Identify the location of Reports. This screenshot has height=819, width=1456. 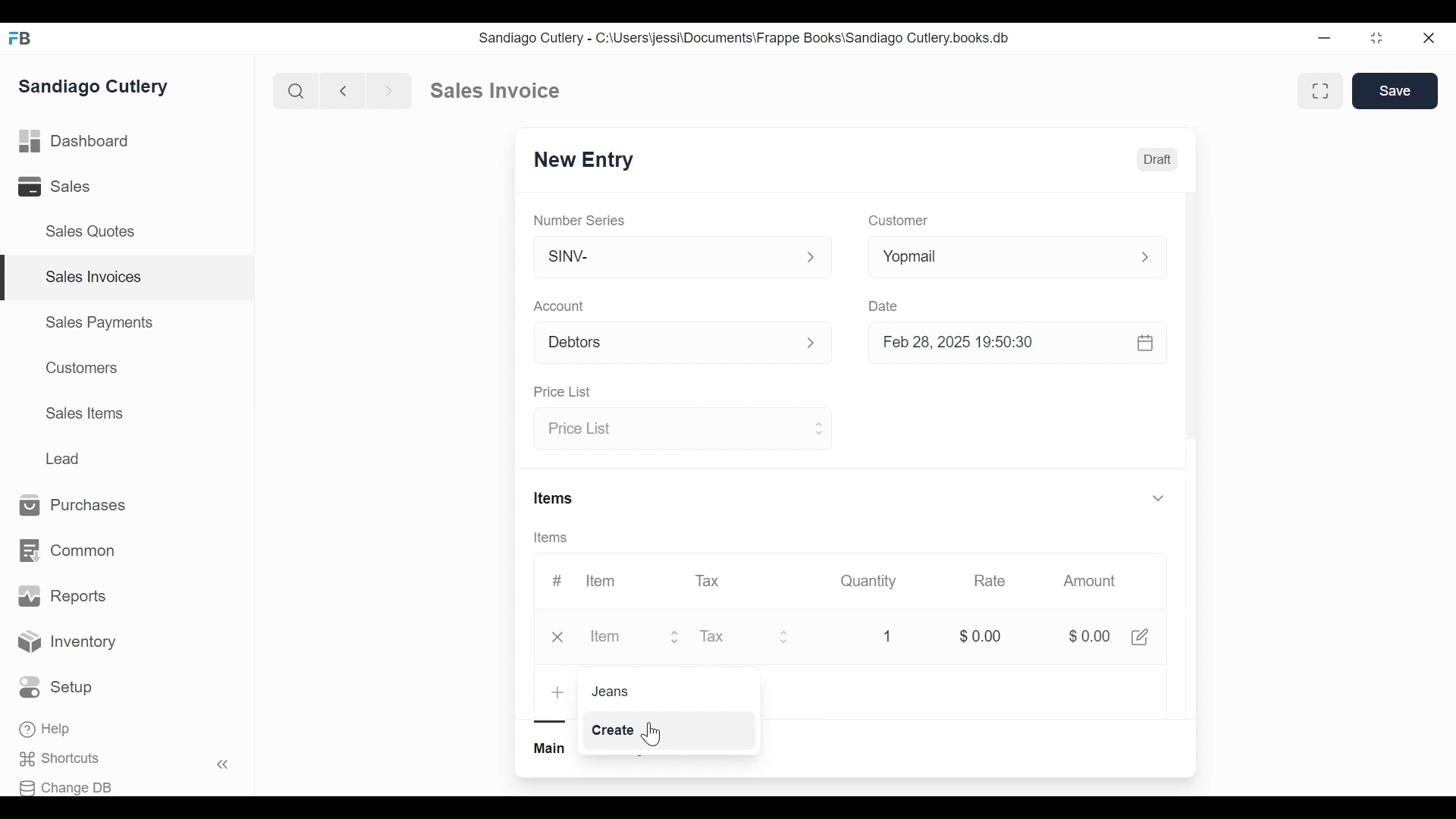
(62, 596).